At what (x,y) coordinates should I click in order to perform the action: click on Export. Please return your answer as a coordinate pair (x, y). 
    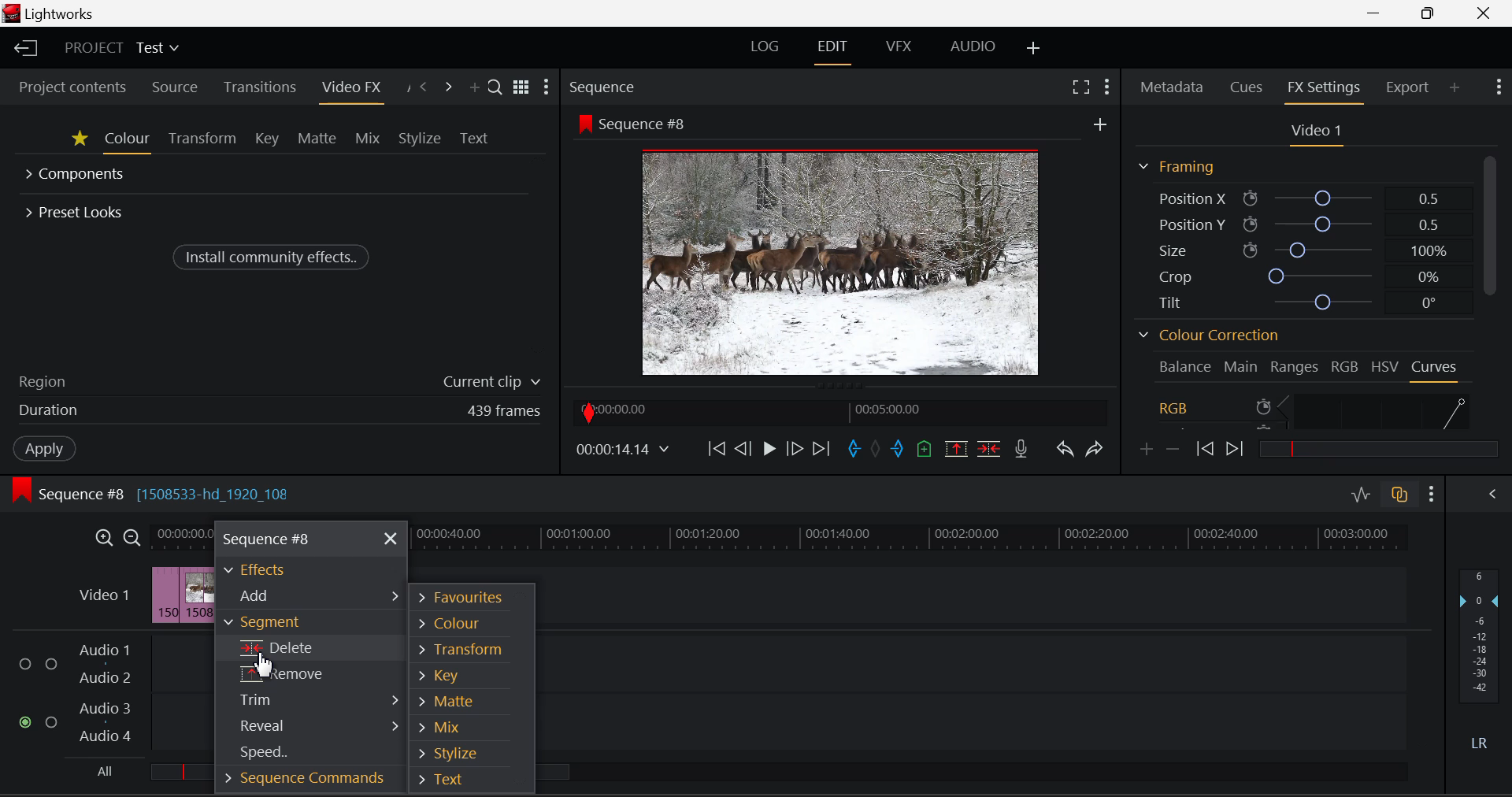
    Looking at the image, I should click on (1407, 85).